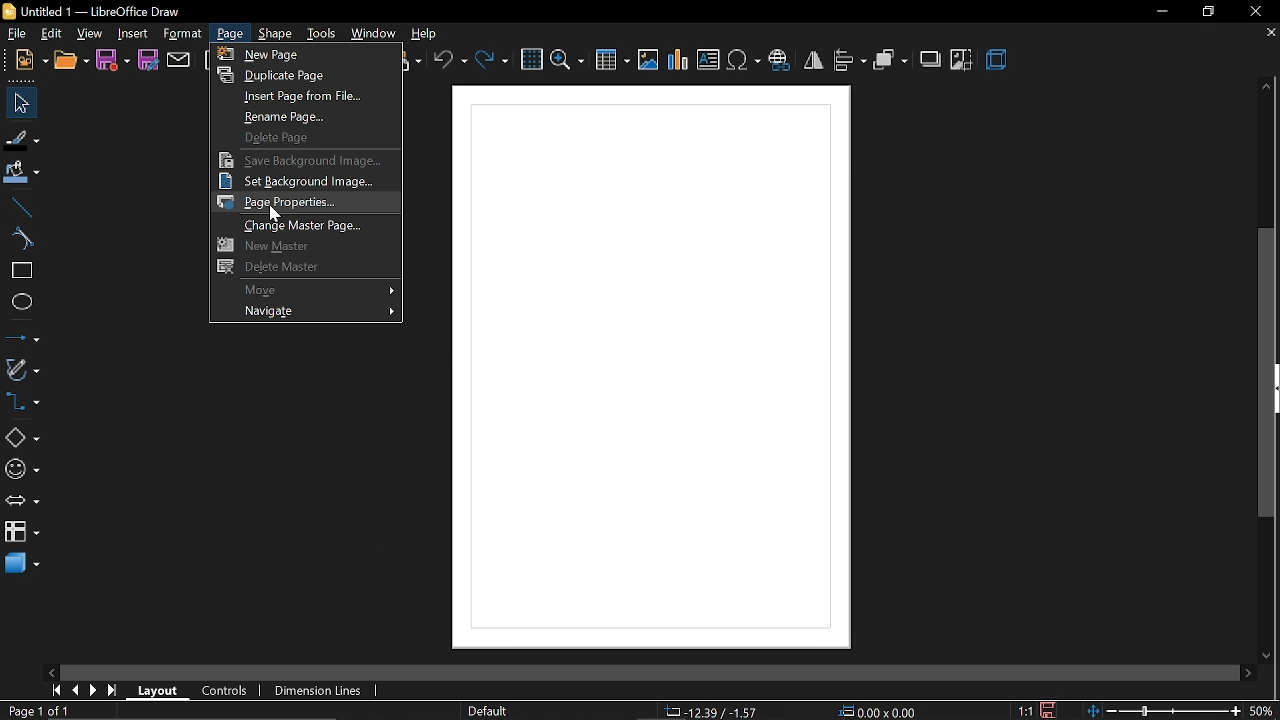 This screenshot has height=720, width=1280. What do you see at coordinates (316, 690) in the screenshot?
I see `dimension lines` at bounding box center [316, 690].